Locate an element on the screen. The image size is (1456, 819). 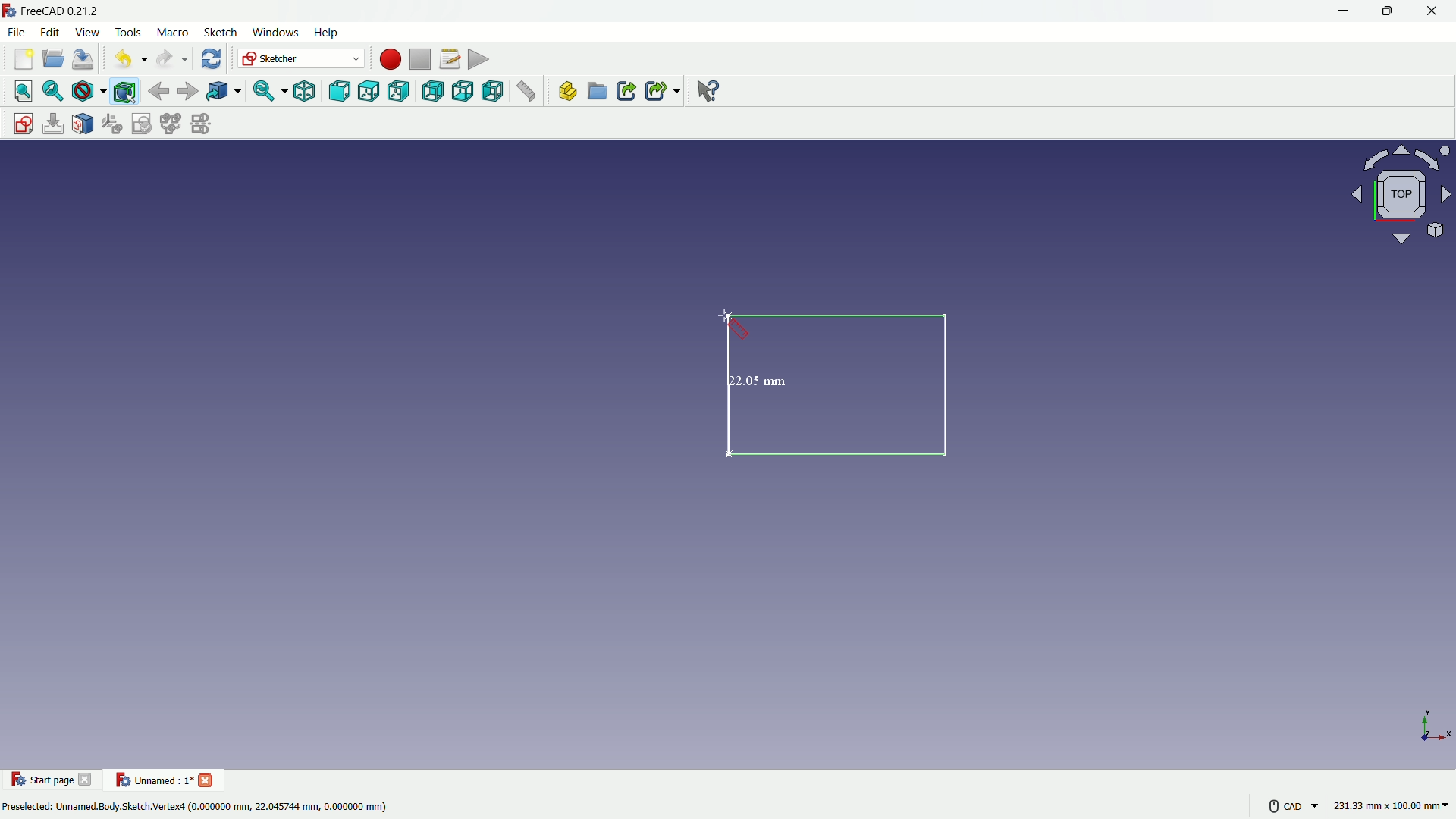
map sketch to face is located at coordinates (83, 124).